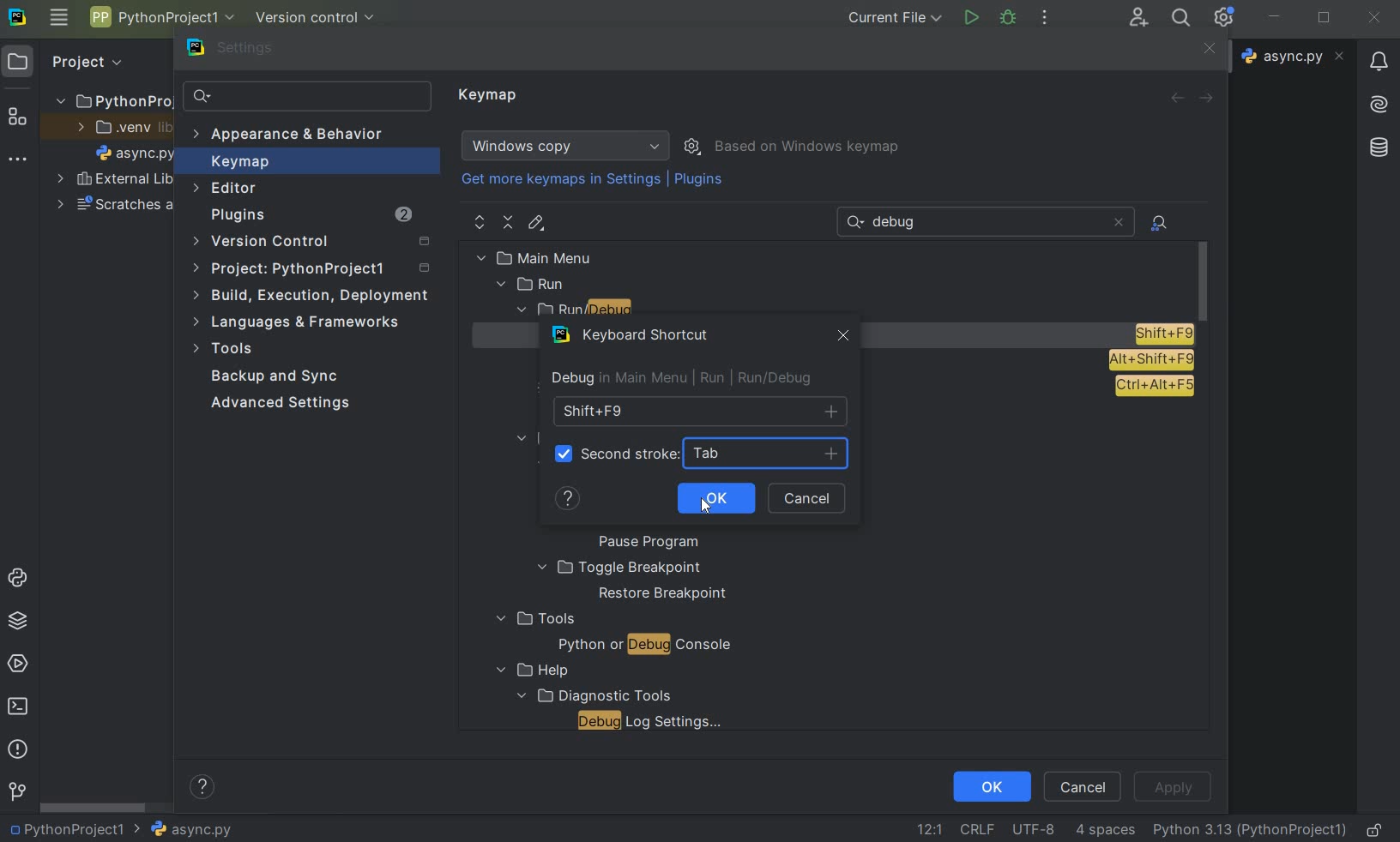 The width and height of the screenshot is (1400, 842). Describe the element at coordinates (664, 594) in the screenshot. I see `restore breakpoint` at that location.